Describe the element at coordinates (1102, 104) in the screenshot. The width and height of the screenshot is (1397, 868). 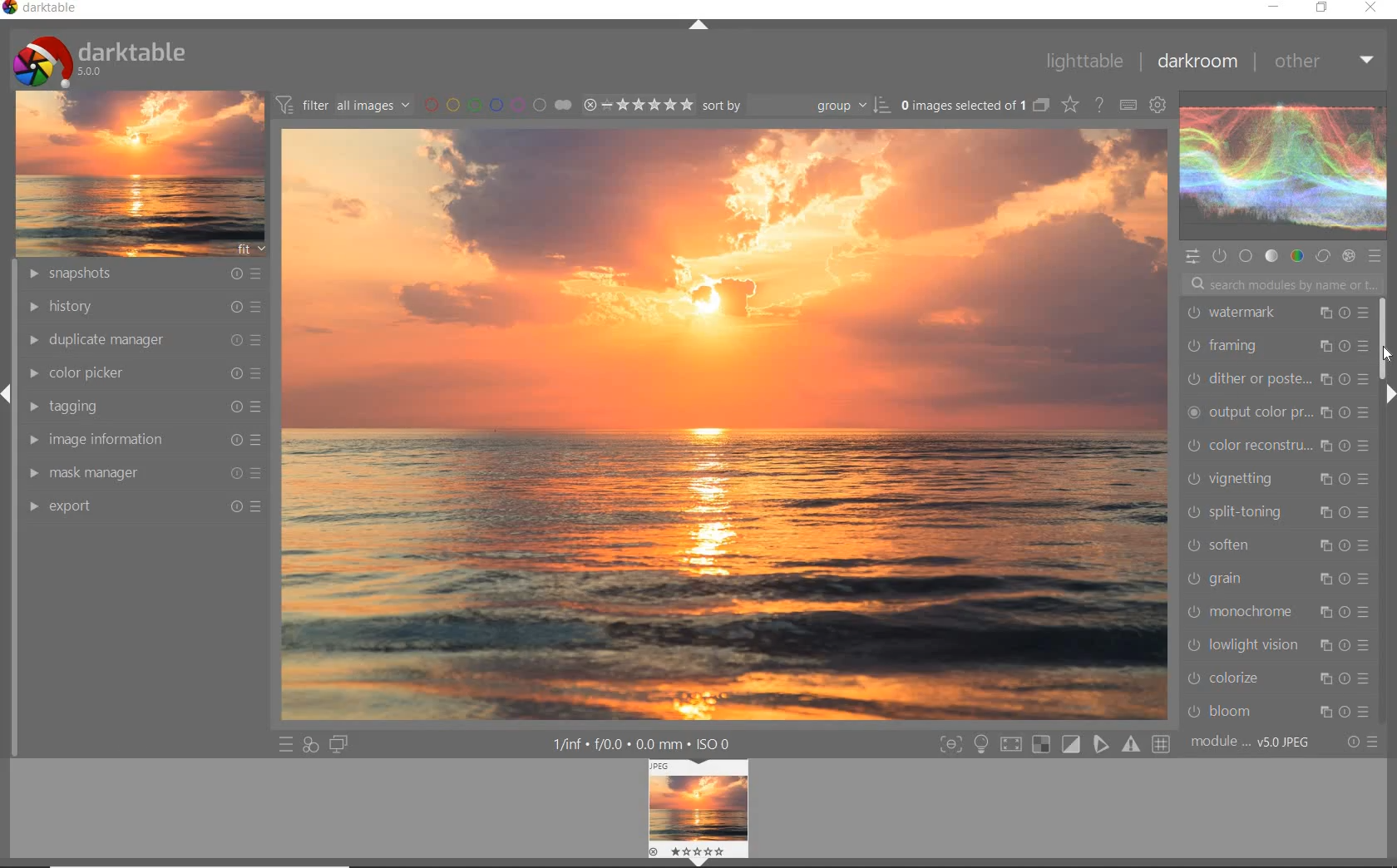
I see `ENABLE FOR ONLINE HELP` at that location.